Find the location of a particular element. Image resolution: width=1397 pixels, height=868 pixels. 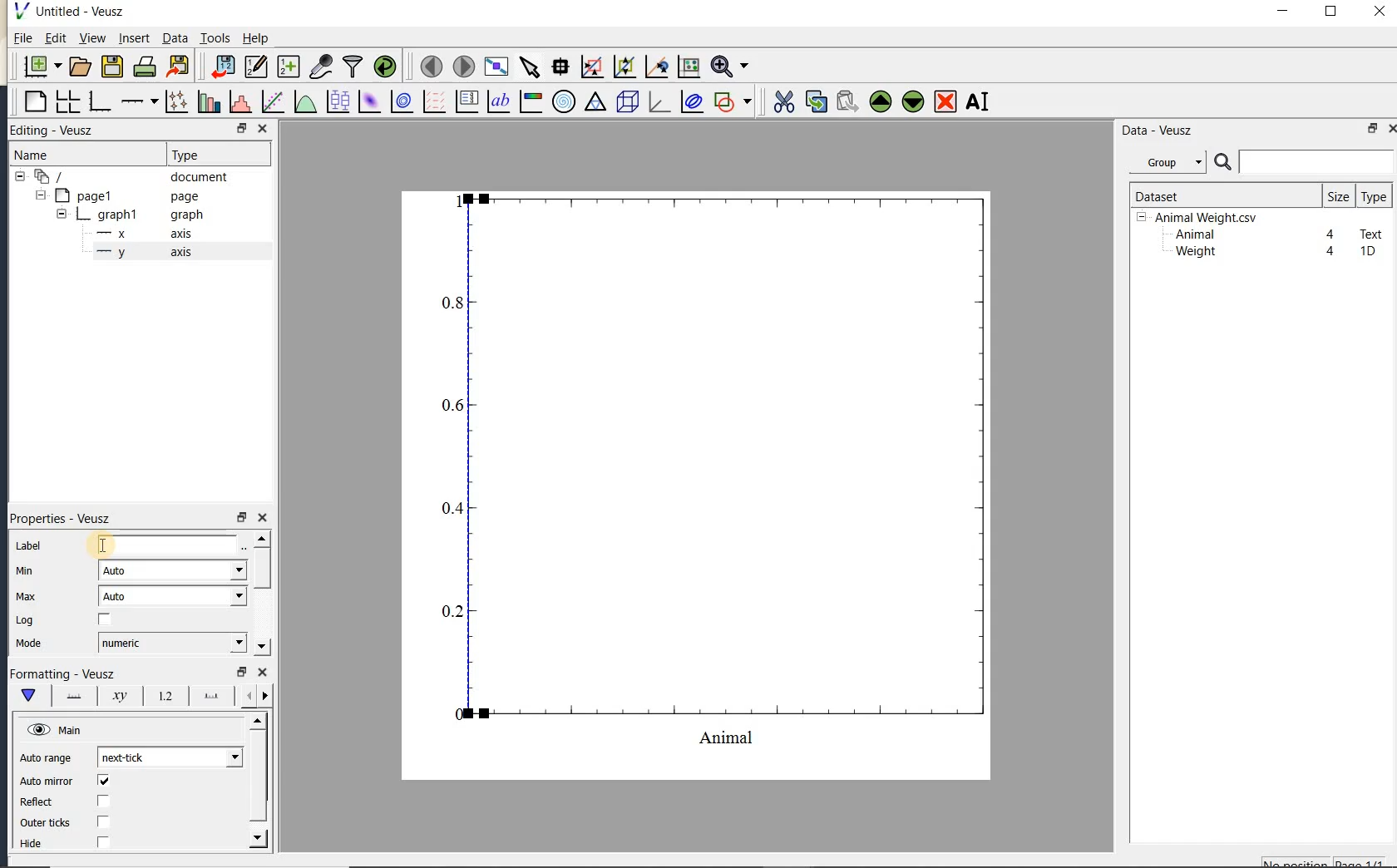

plot bar charts is located at coordinates (209, 101).